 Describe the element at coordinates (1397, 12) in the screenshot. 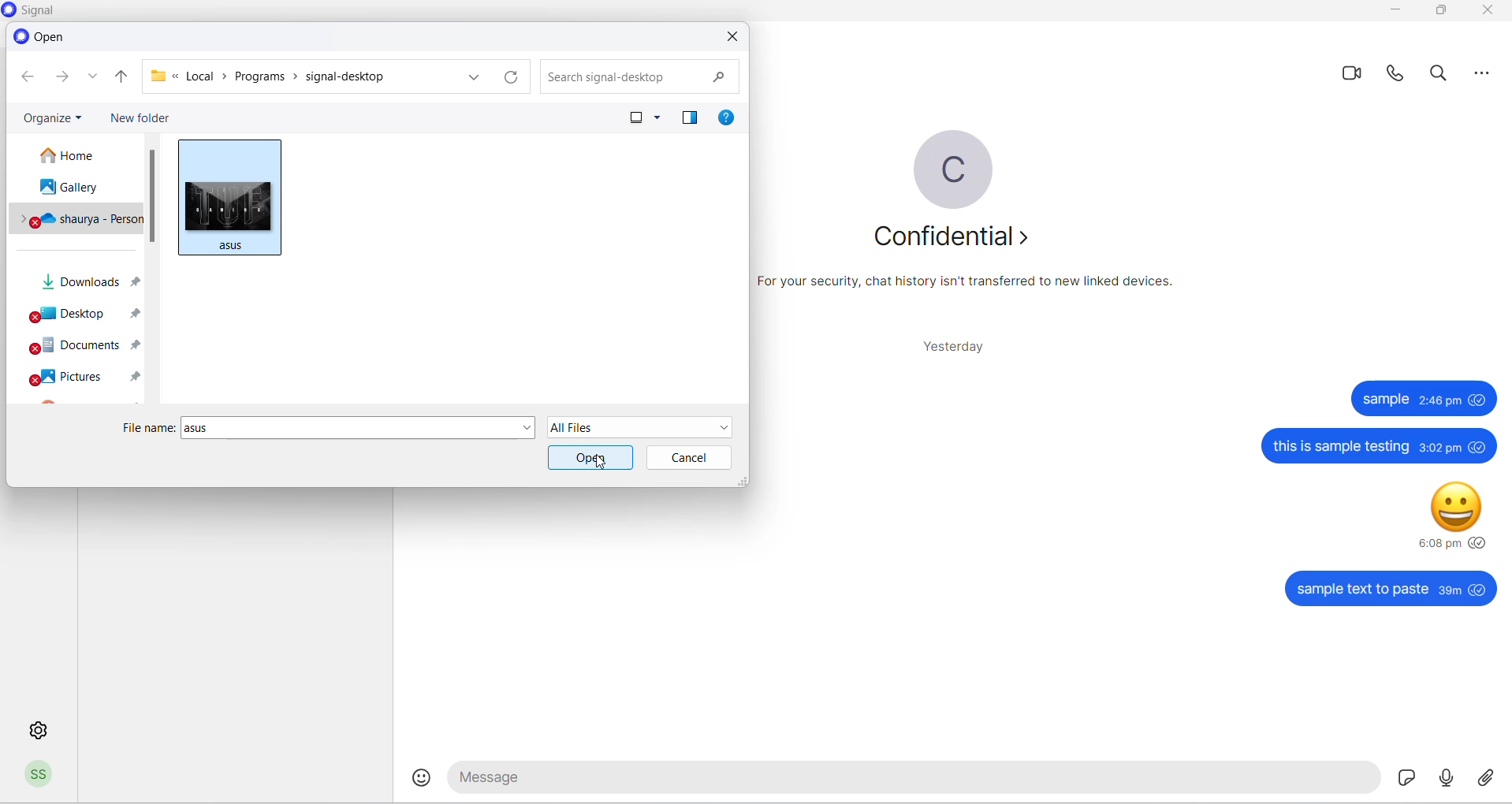

I see `minimize` at that location.